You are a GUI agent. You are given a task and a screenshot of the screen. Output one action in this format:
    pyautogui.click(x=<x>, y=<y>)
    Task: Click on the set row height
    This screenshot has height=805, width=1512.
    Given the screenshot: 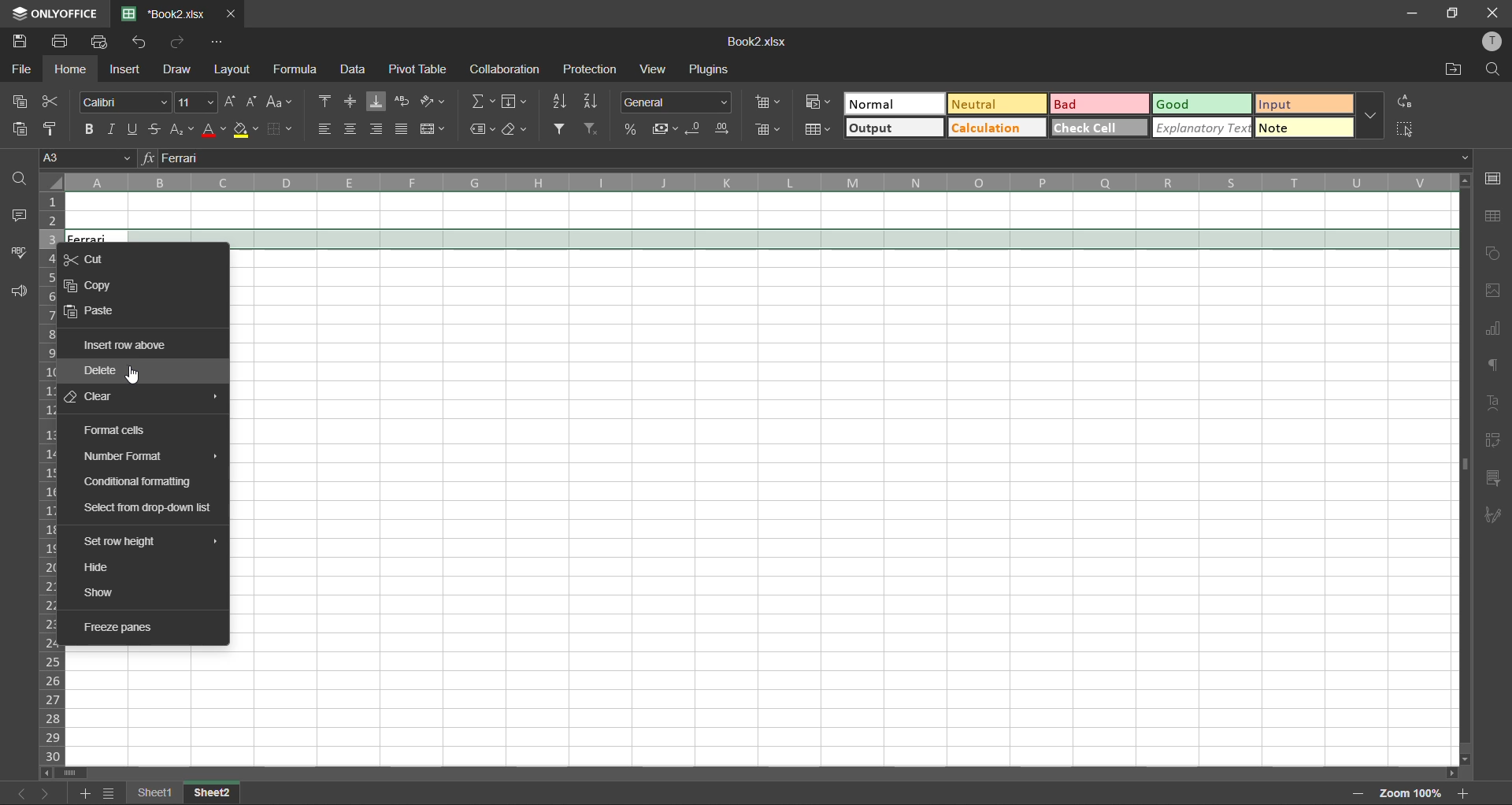 What is the action you would take?
    pyautogui.click(x=117, y=542)
    